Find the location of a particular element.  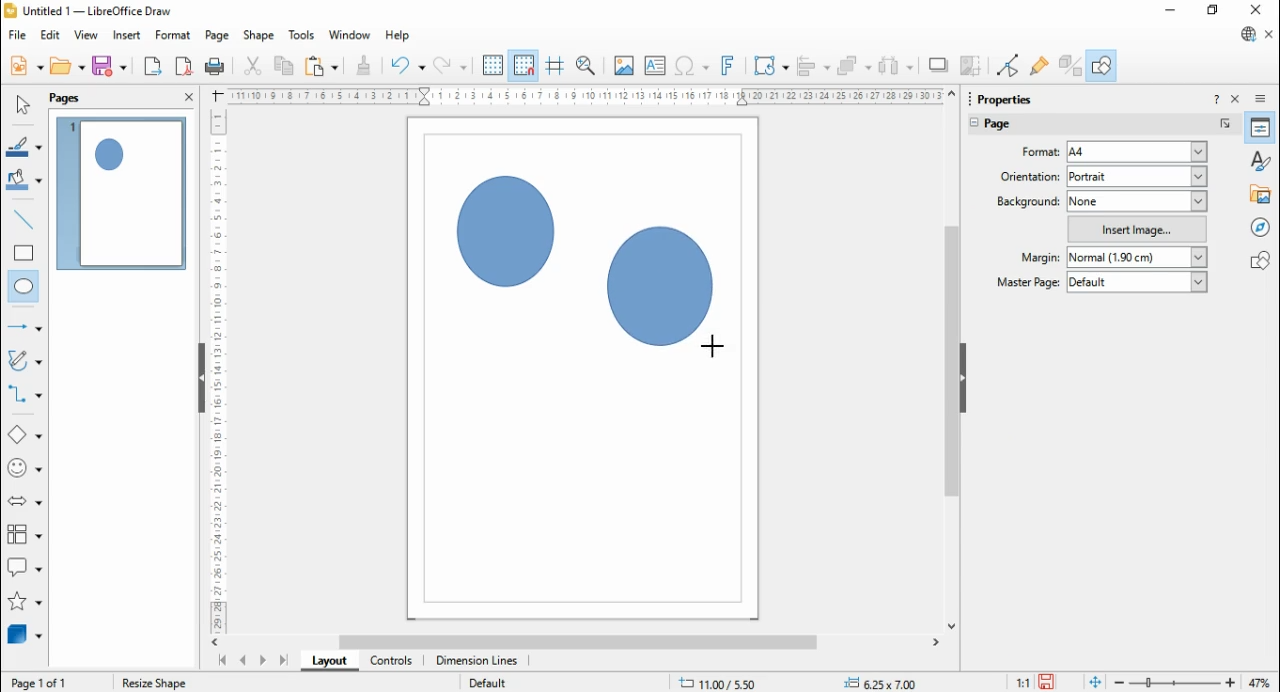

controls is located at coordinates (390, 661).